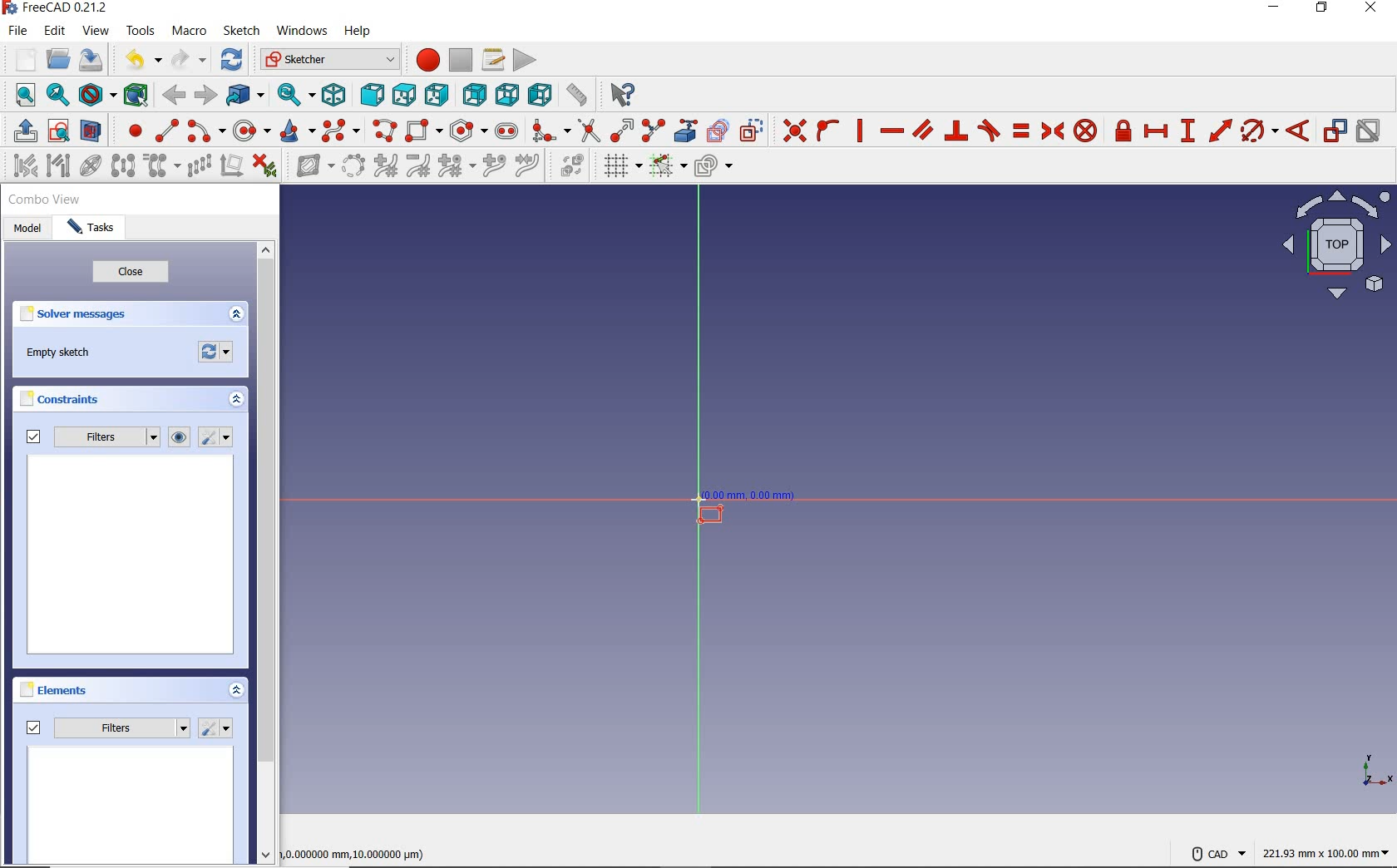 This screenshot has height=868, width=1397. What do you see at coordinates (492, 60) in the screenshot?
I see `macros` at bounding box center [492, 60].